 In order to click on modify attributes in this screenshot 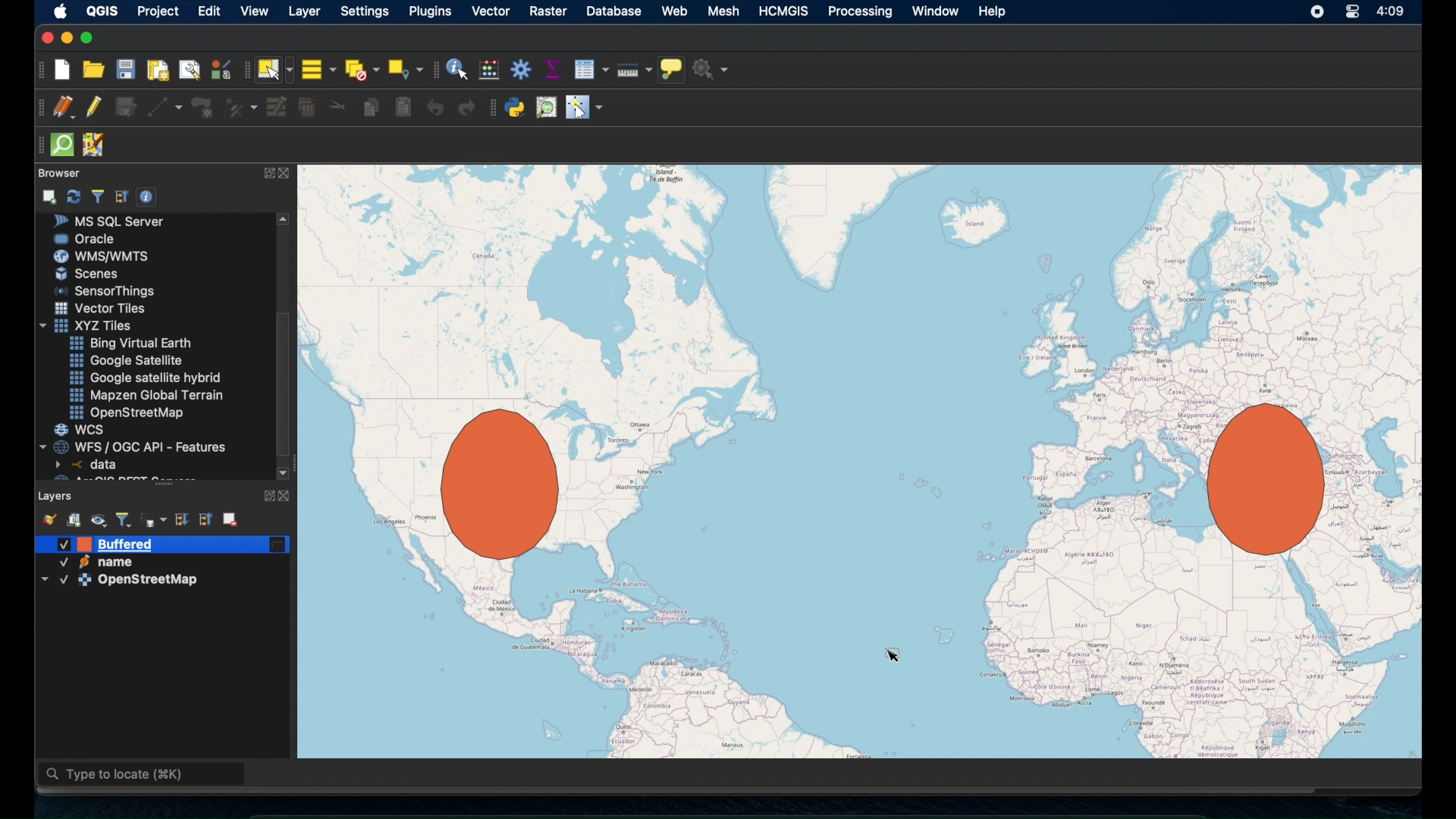, I will do `click(275, 108)`.